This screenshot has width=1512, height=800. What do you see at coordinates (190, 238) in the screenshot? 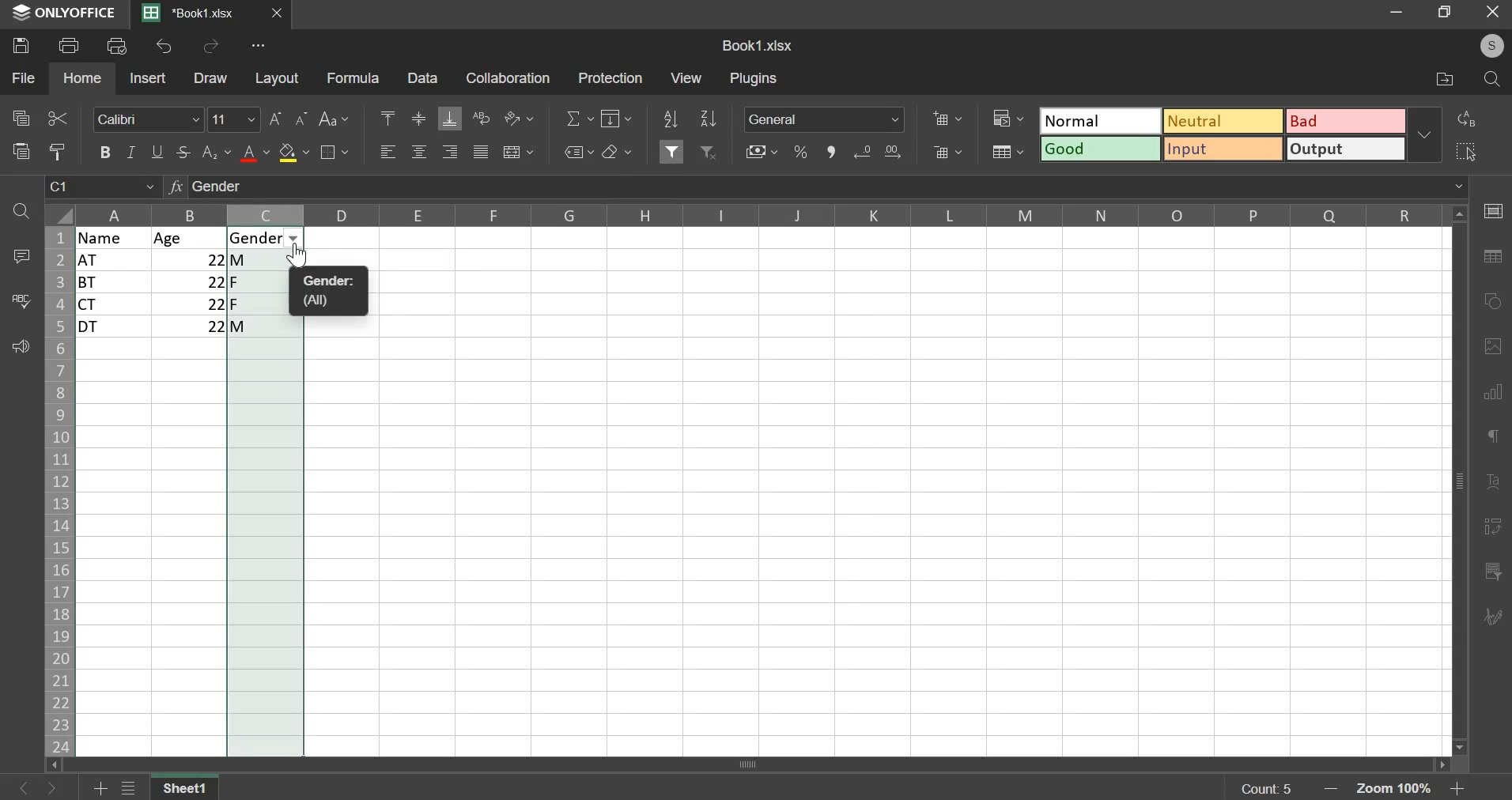
I see `age` at bounding box center [190, 238].